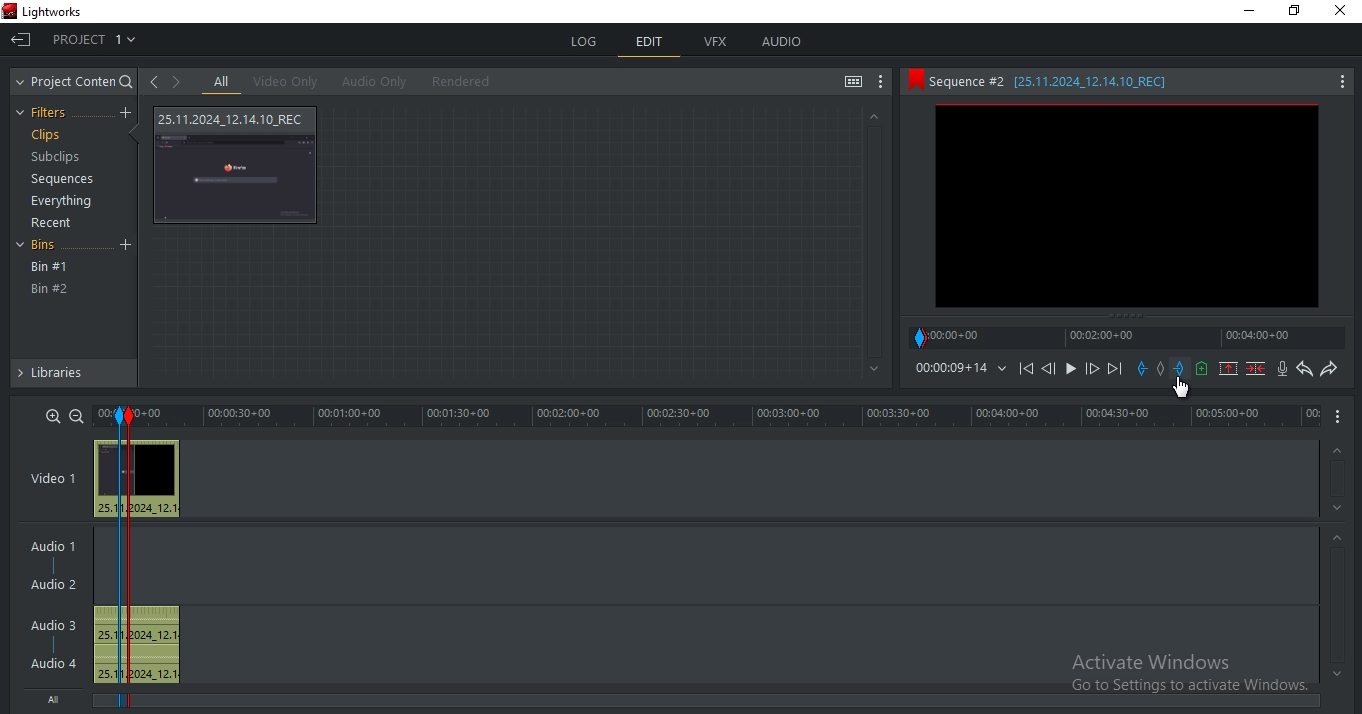 This screenshot has height=714, width=1362. I want to click on , so click(176, 83).